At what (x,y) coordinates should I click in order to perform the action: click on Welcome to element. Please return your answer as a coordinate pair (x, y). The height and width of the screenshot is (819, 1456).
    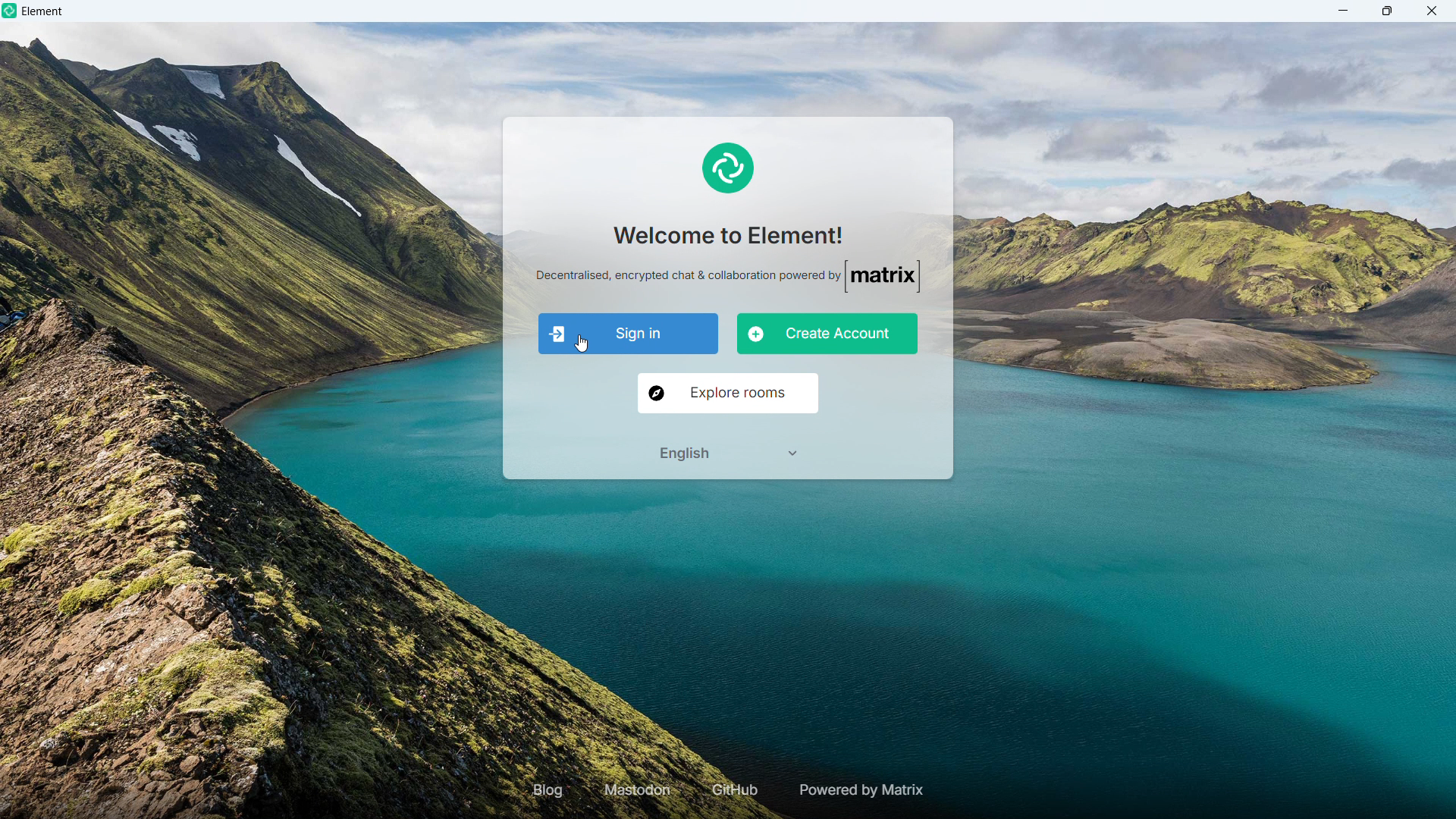
    Looking at the image, I should click on (725, 232).